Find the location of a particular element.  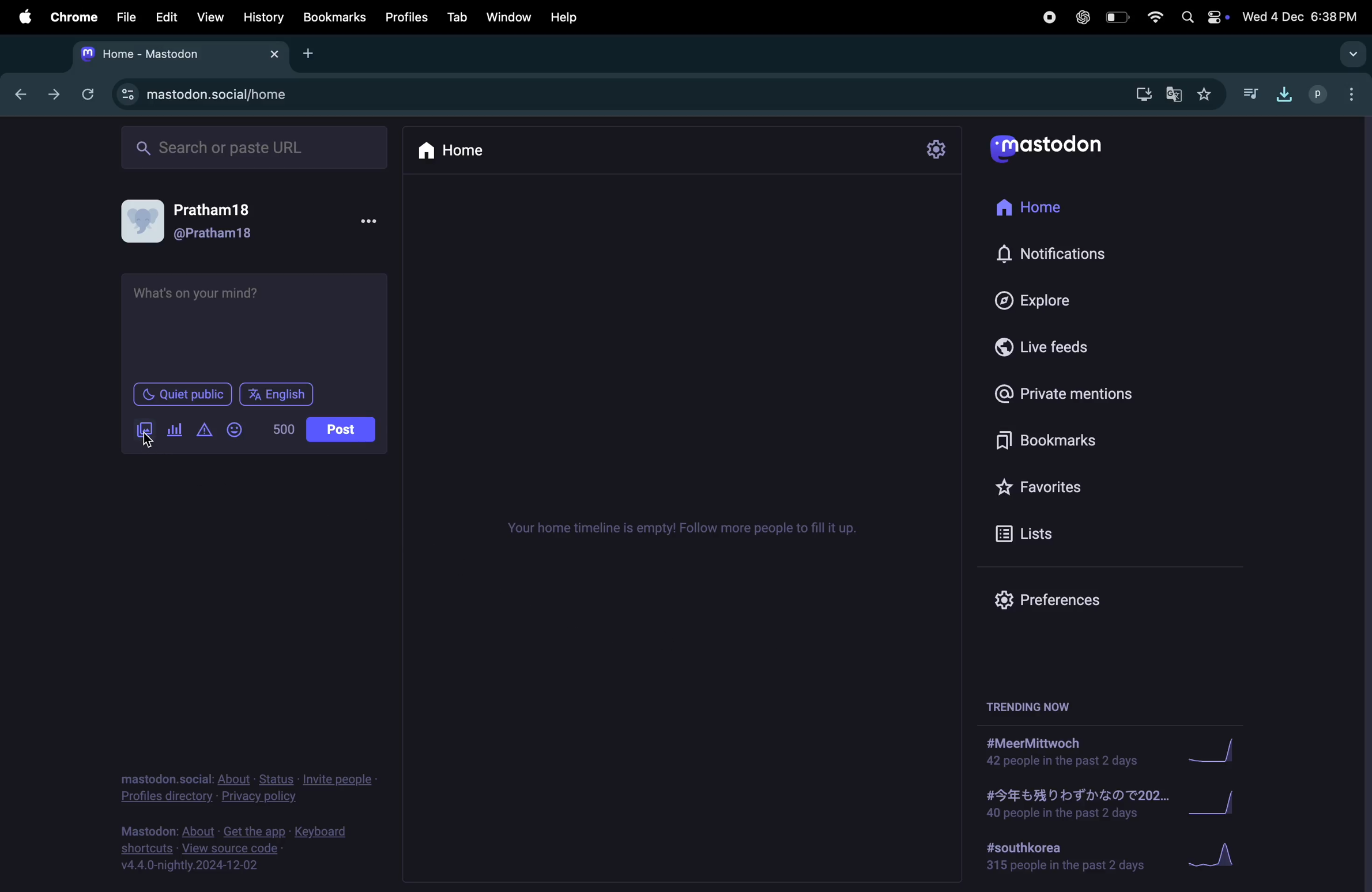

wifi is located at coordinates (1155, 17).